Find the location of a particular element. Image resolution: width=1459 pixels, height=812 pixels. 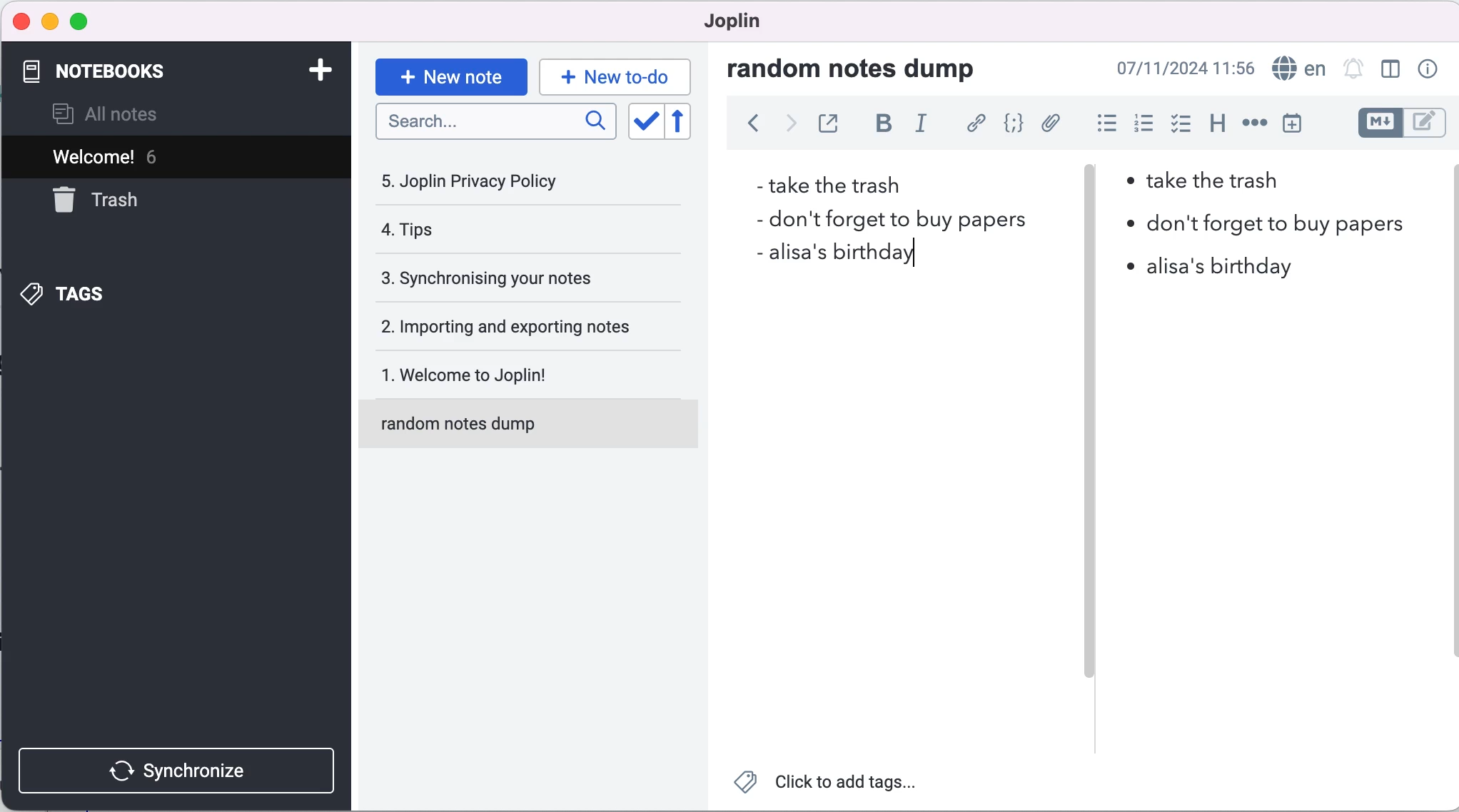

toggle editor layout is located at coordinates (1390, 70).